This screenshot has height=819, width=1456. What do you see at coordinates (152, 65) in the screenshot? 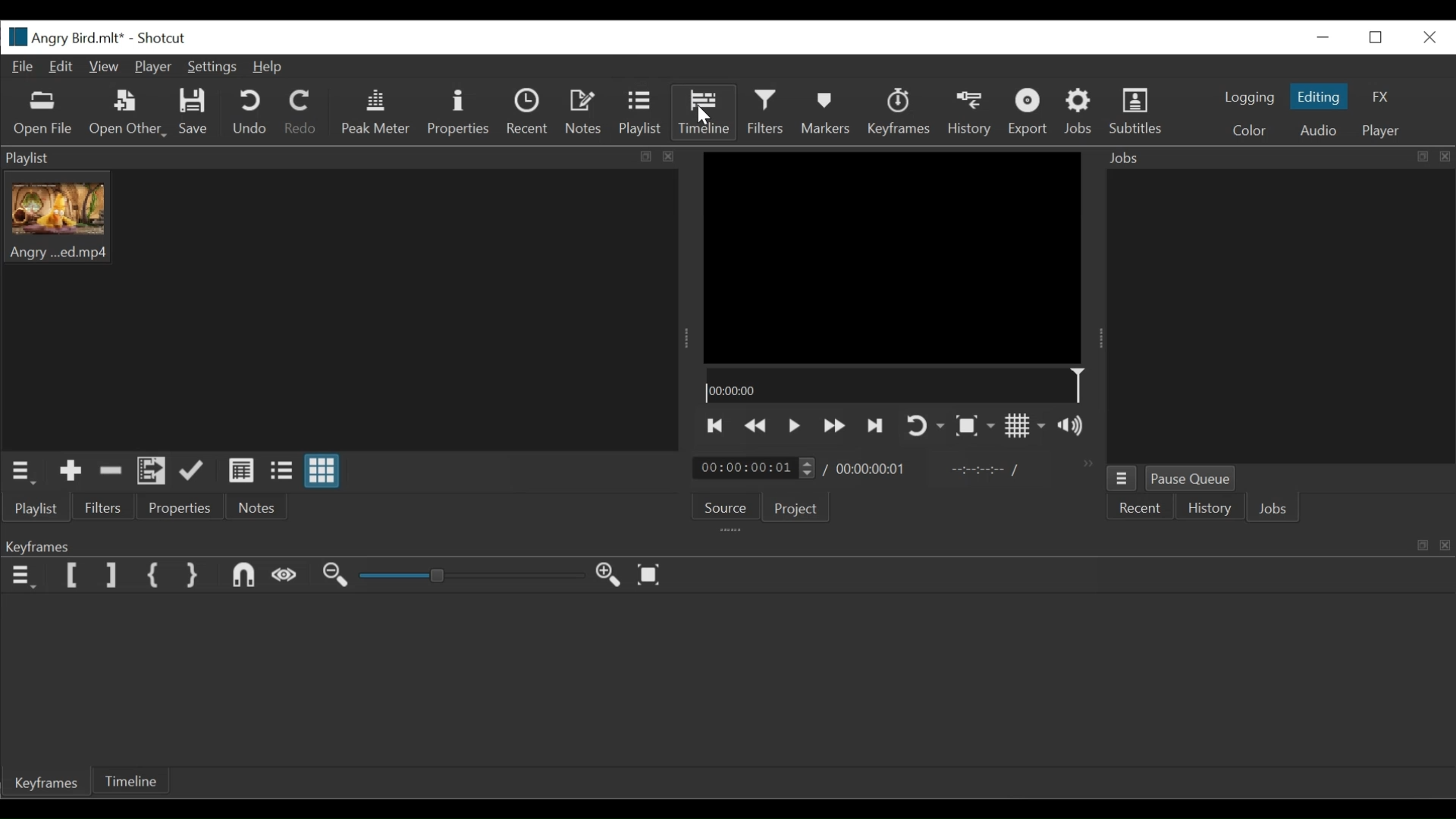
I see `Player` at bounding box center [152, 65].